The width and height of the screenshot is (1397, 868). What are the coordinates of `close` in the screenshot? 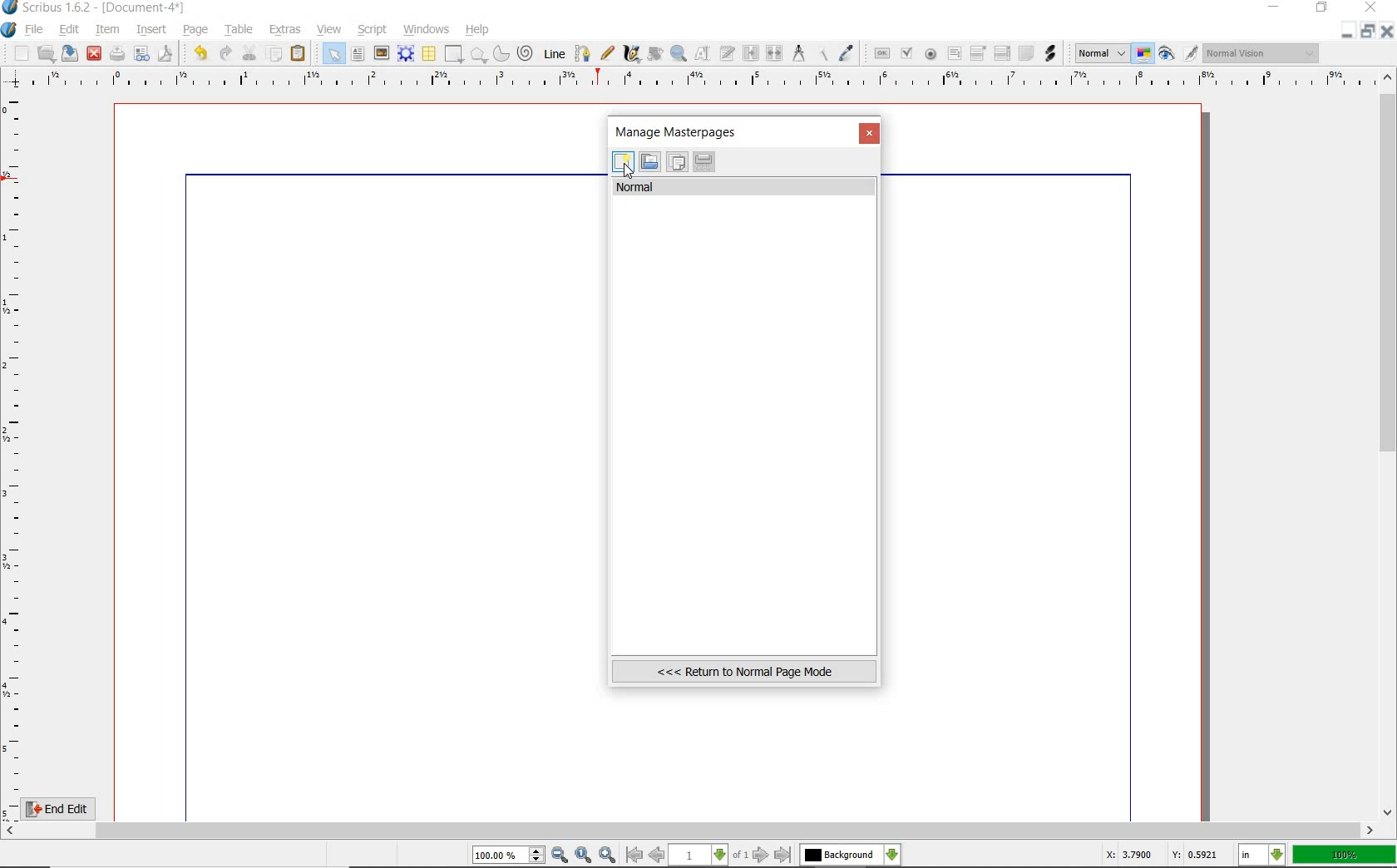 It's located at (871, 135).